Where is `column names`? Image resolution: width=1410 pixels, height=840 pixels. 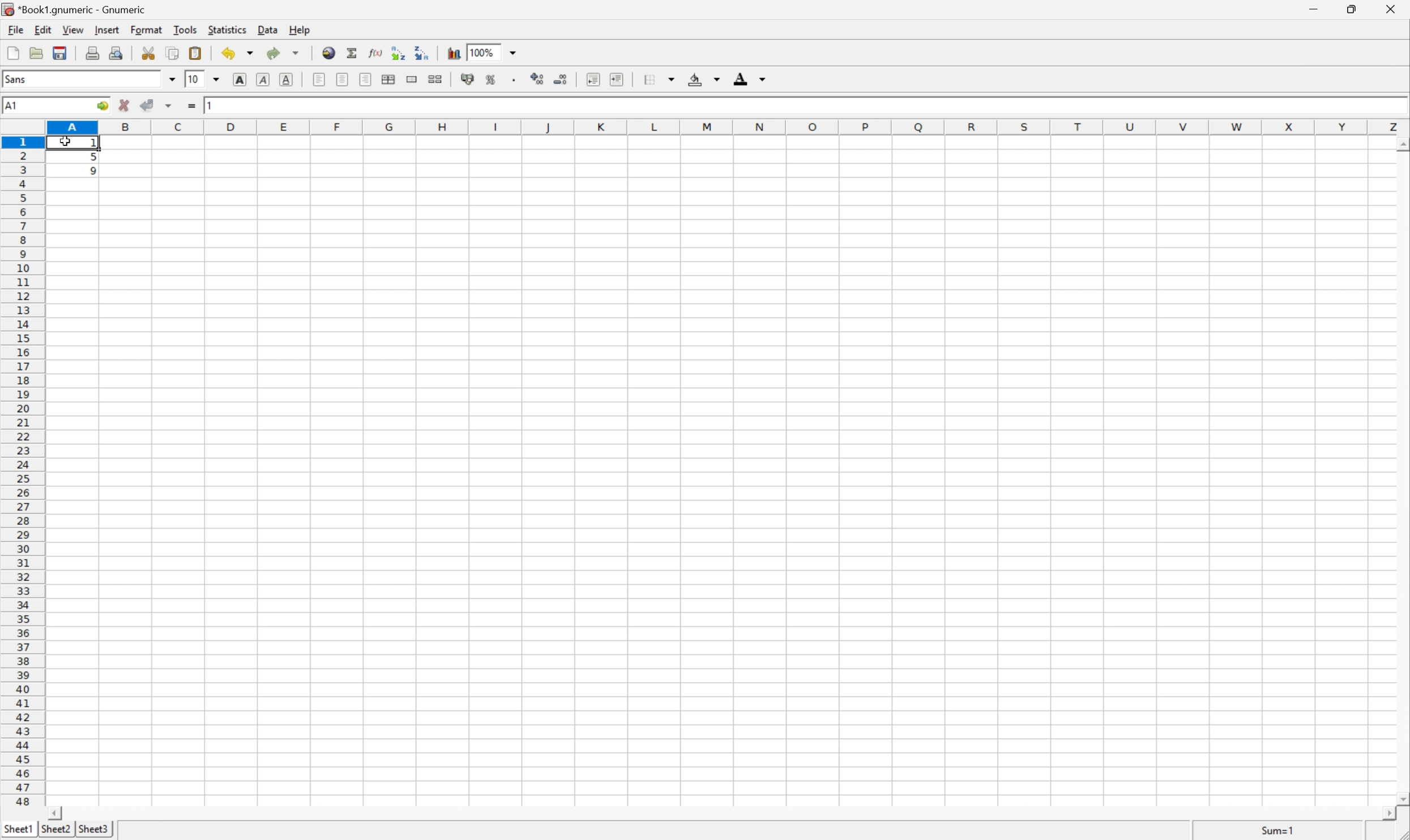
column names is located at coordinates (730, 128).